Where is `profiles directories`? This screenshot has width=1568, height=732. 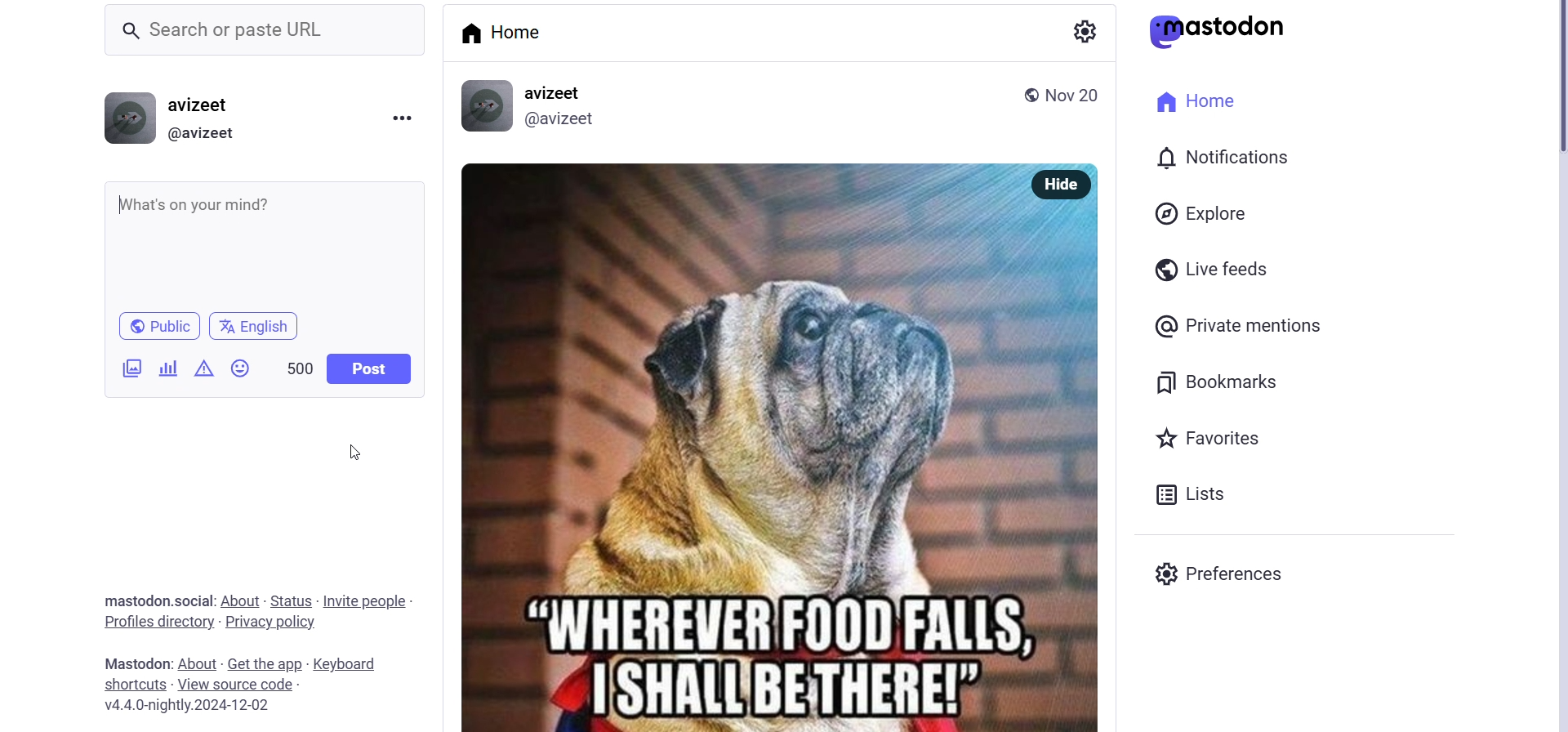
profiles directories is located at coordinates (158, 623).